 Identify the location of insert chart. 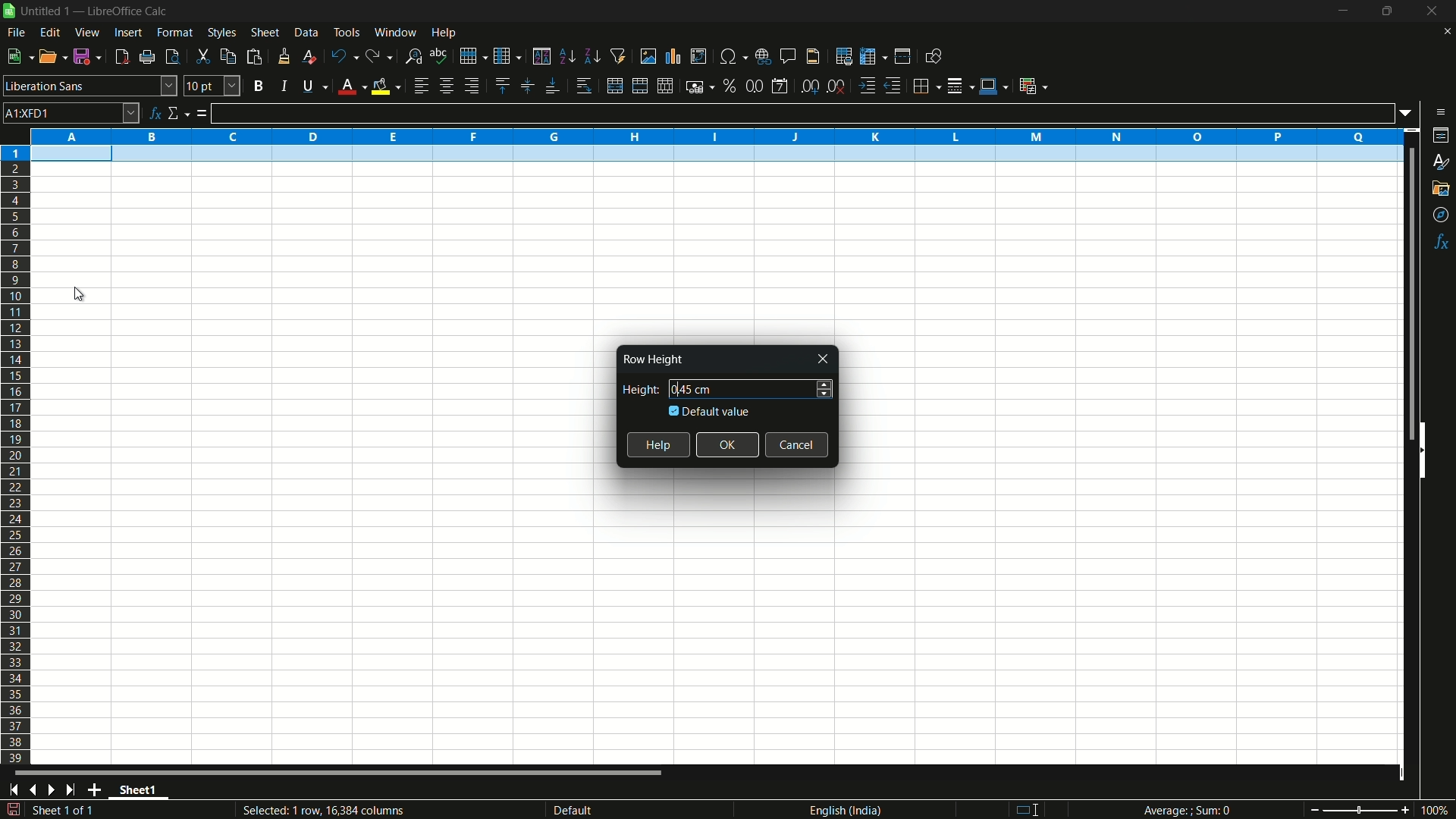
(673, 55).